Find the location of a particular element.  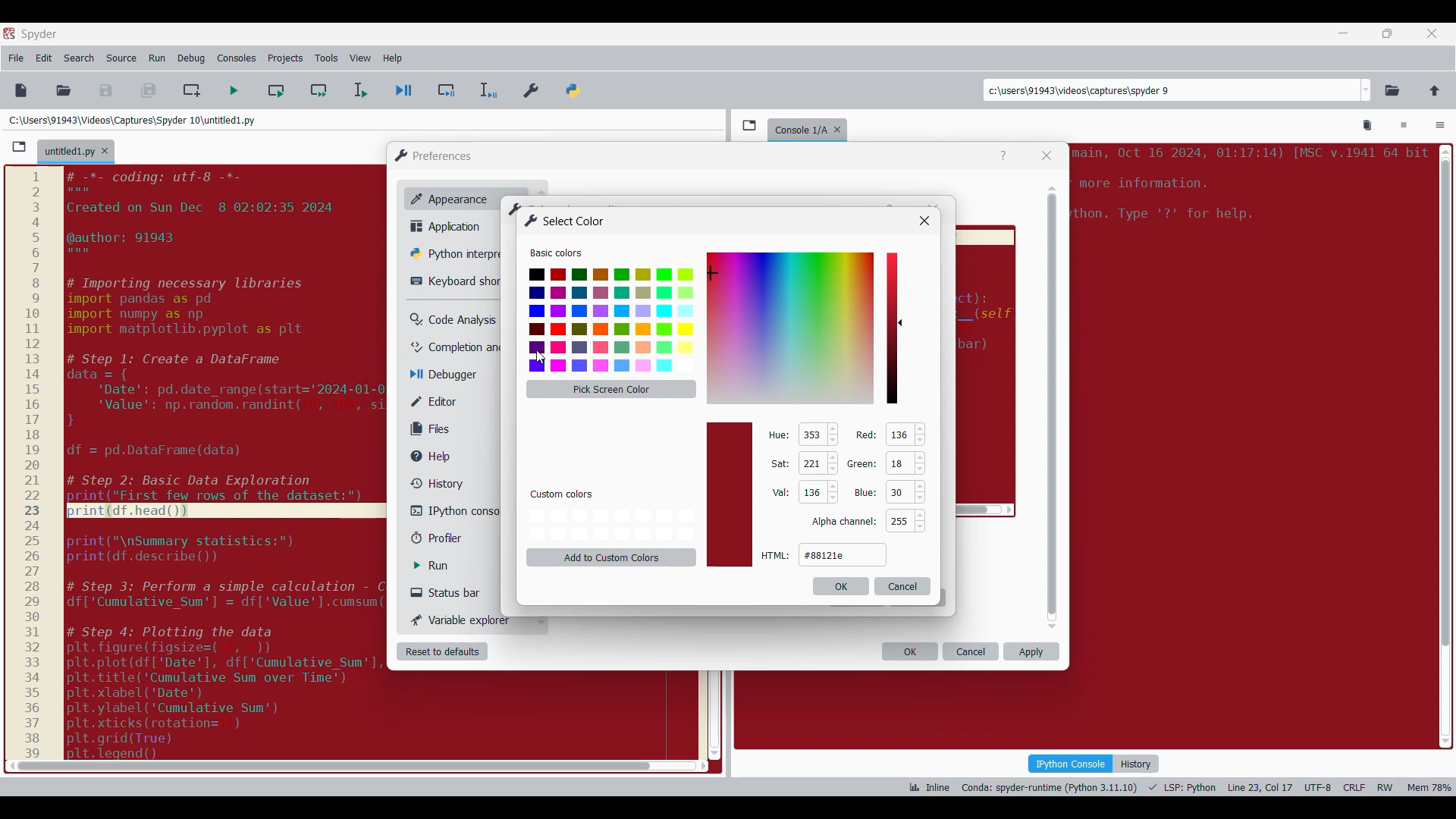

Help is located at coordinates (1003, 156).